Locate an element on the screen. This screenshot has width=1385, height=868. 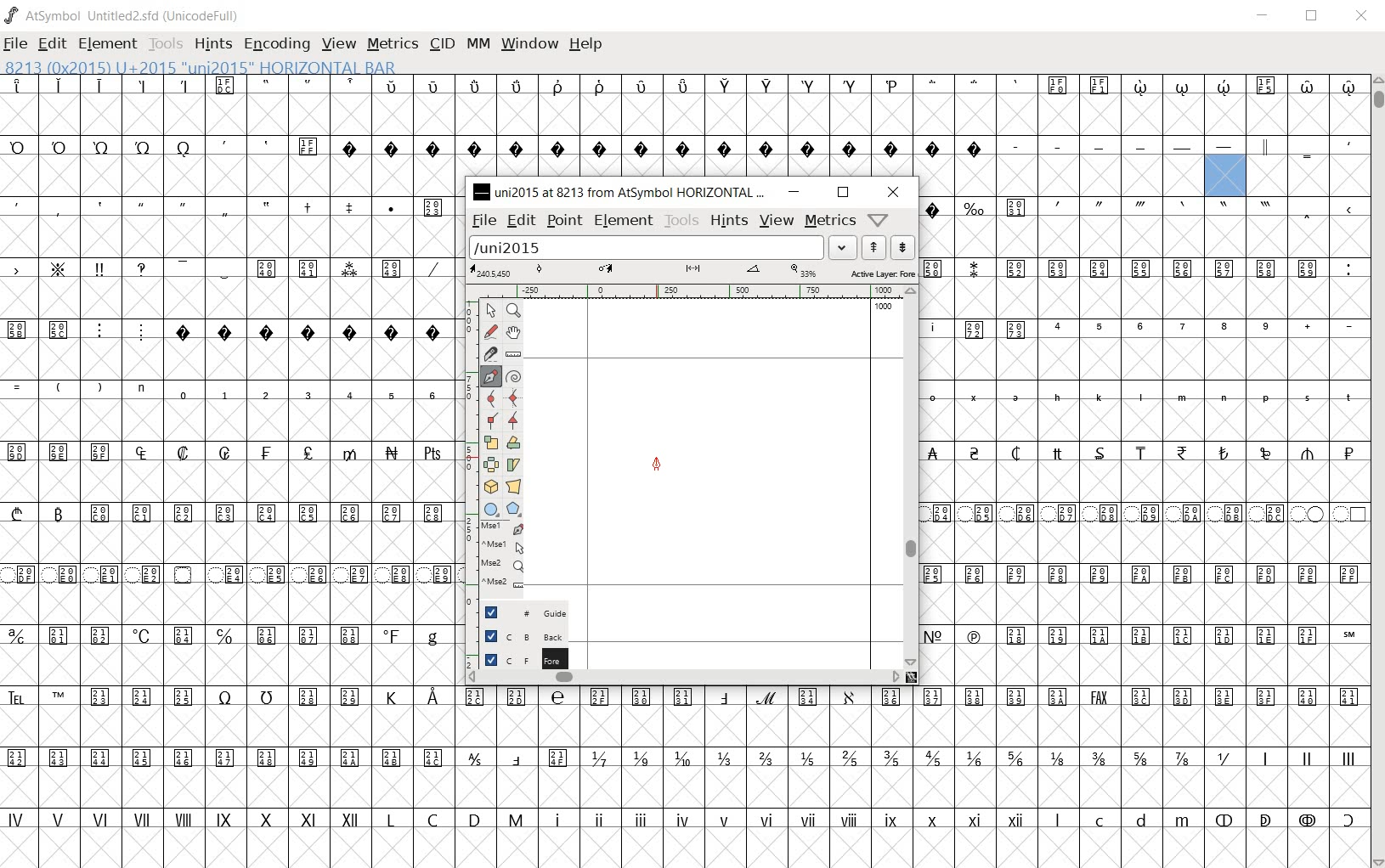
ELEMENT is located at coordinates (109, 43).